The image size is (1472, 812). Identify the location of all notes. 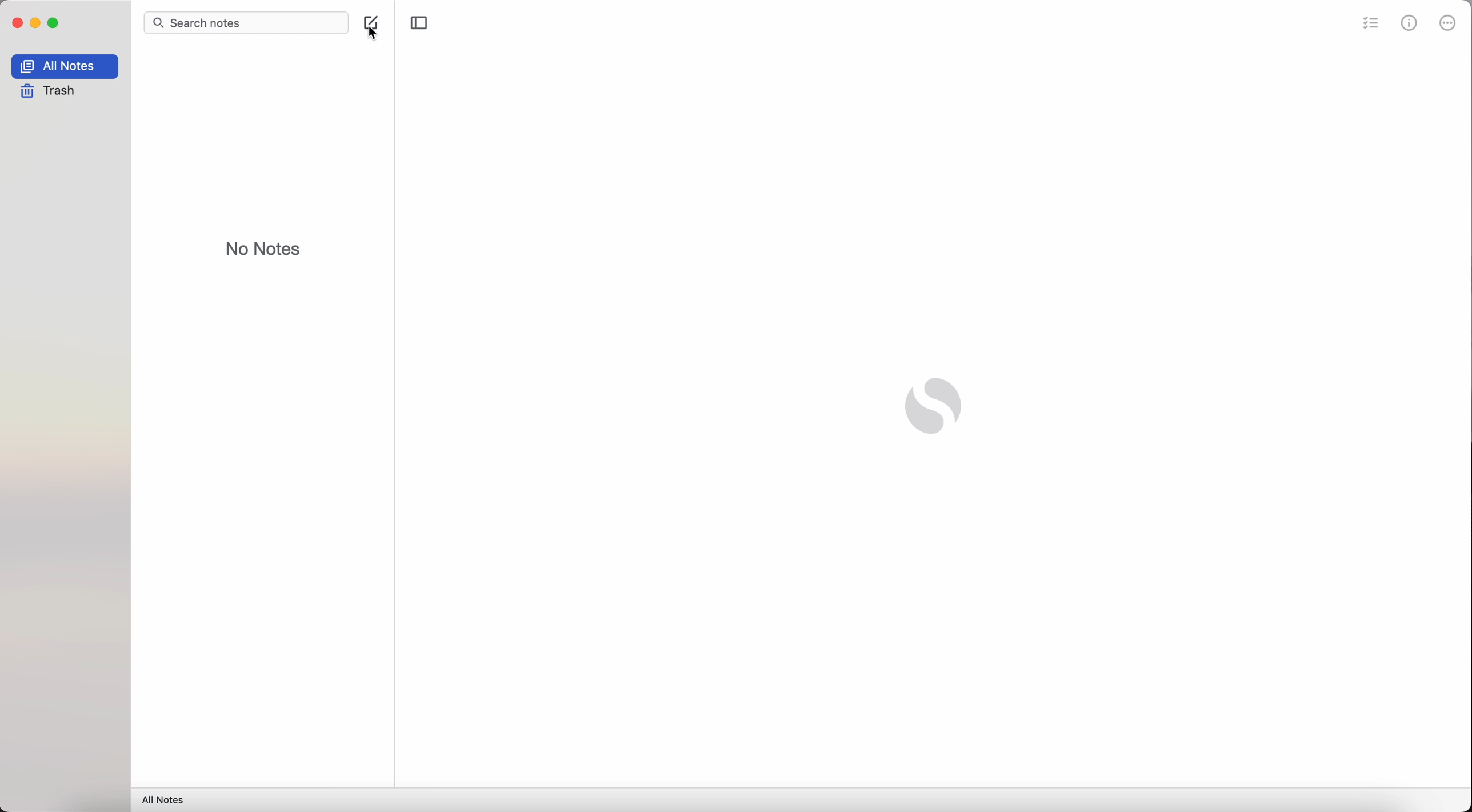
(65, 65).